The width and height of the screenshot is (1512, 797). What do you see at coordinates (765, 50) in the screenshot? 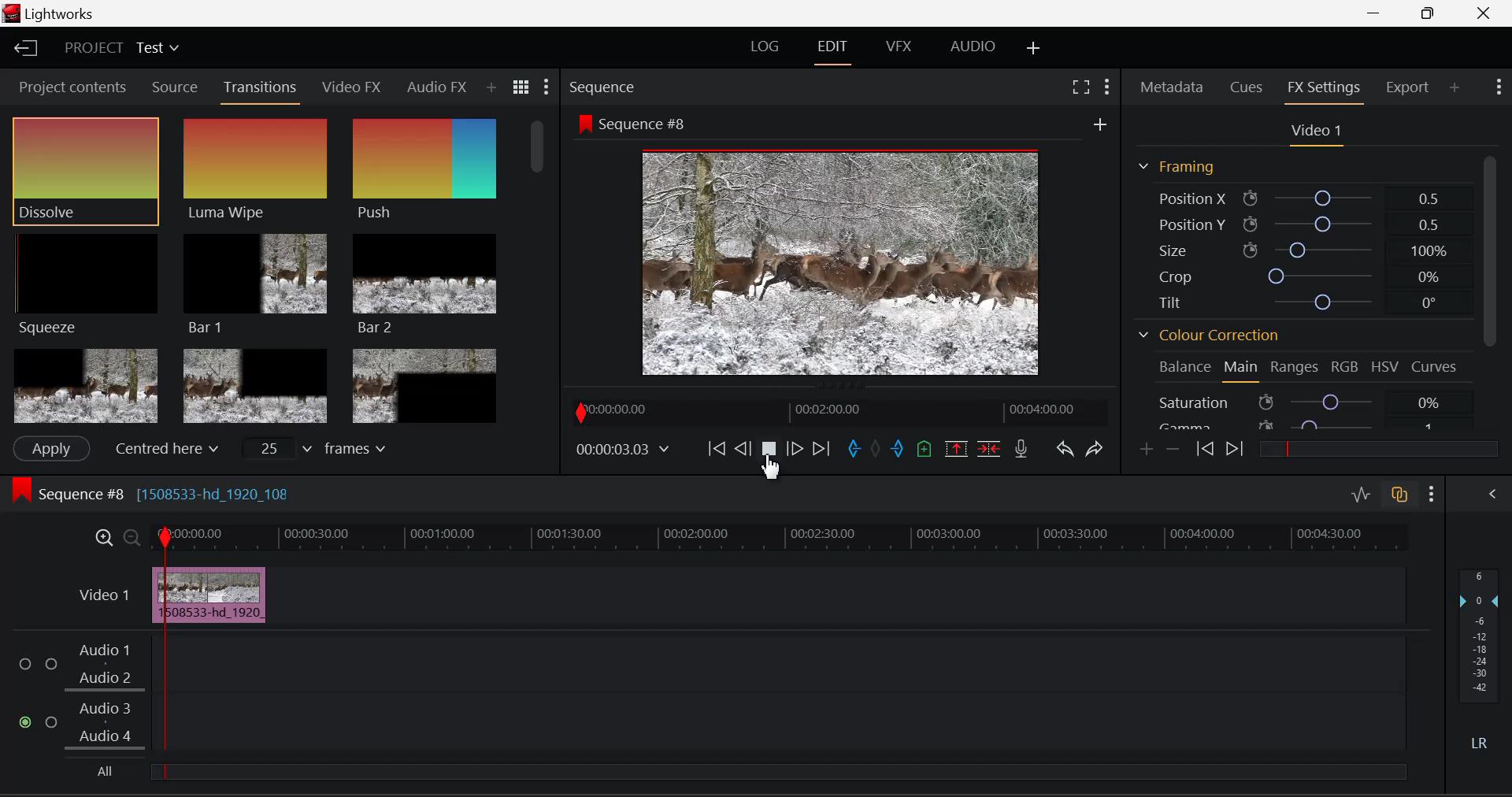
I see `LOG Layout` at bounding box center [765, 50].